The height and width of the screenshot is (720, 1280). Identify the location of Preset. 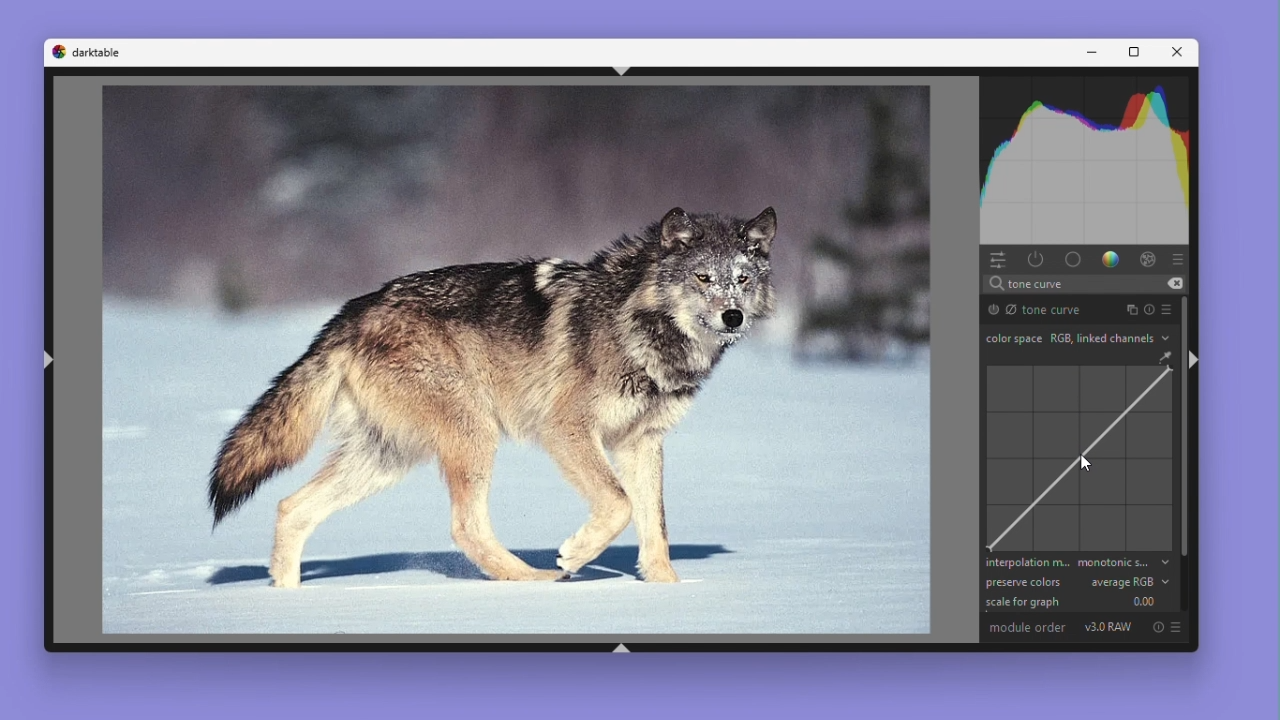
(1178, 260).